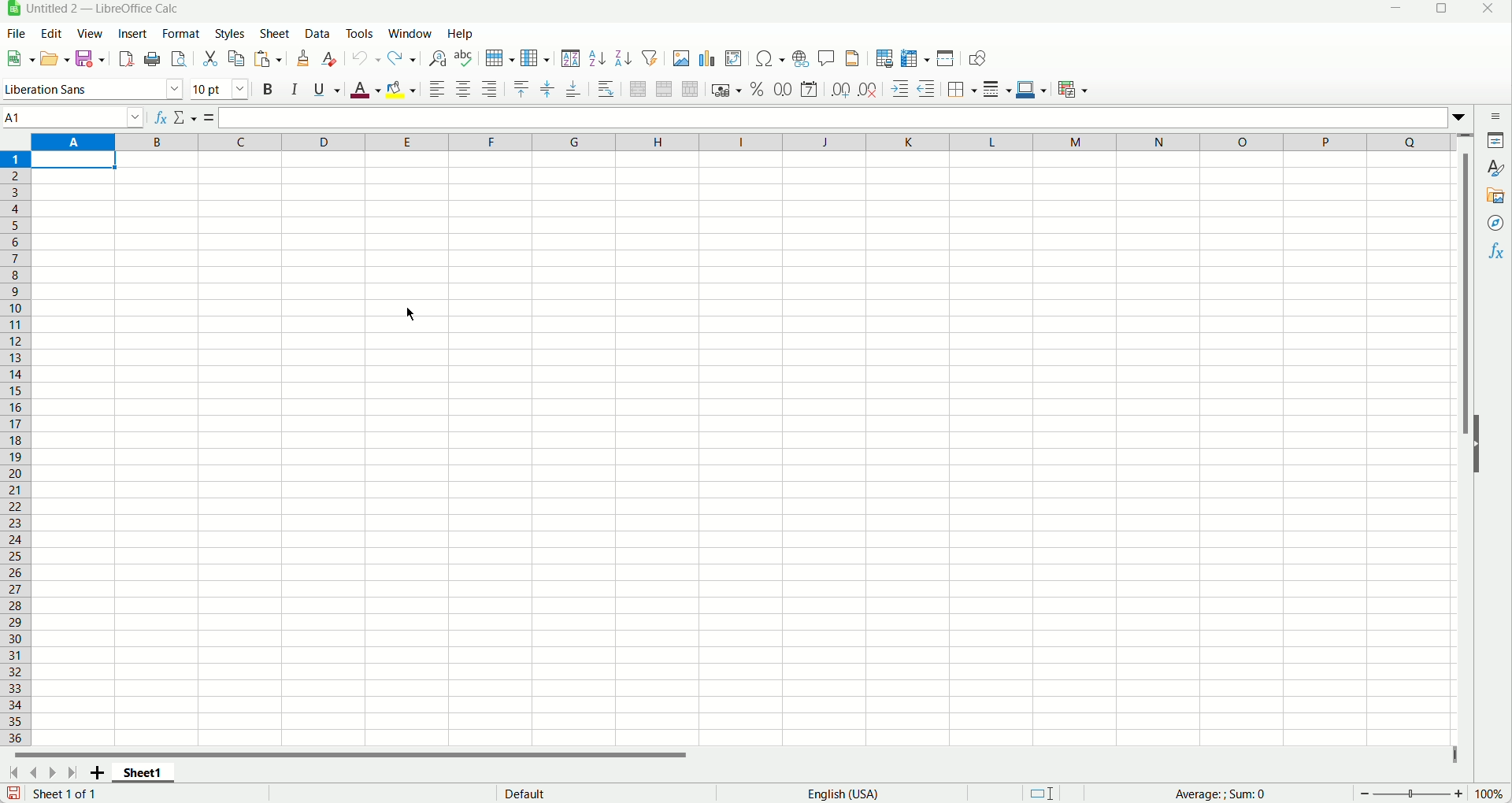  I want to click on Align center, so click(464, 91).